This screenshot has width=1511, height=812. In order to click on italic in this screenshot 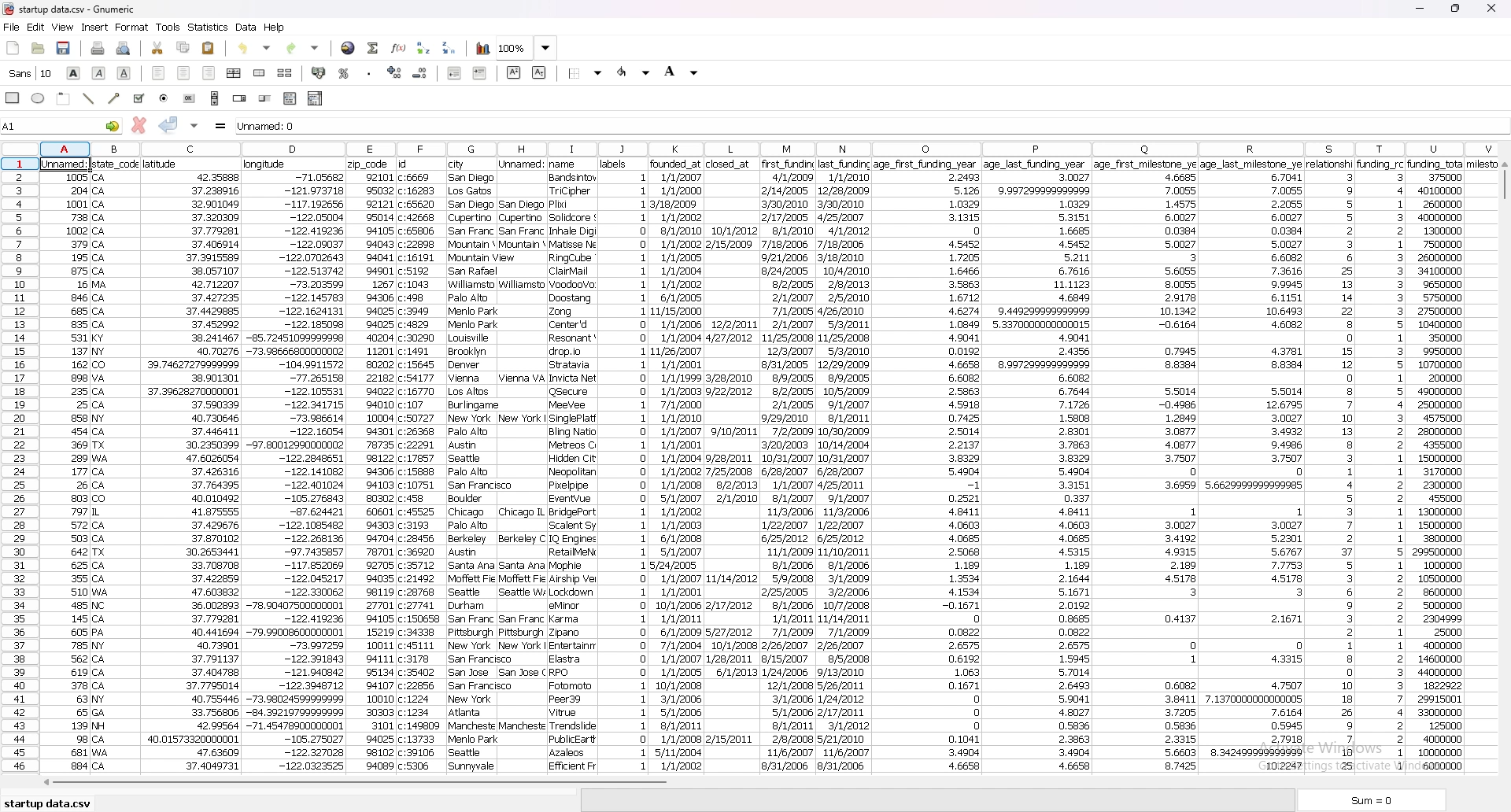, I will do `click(99, 73)`.